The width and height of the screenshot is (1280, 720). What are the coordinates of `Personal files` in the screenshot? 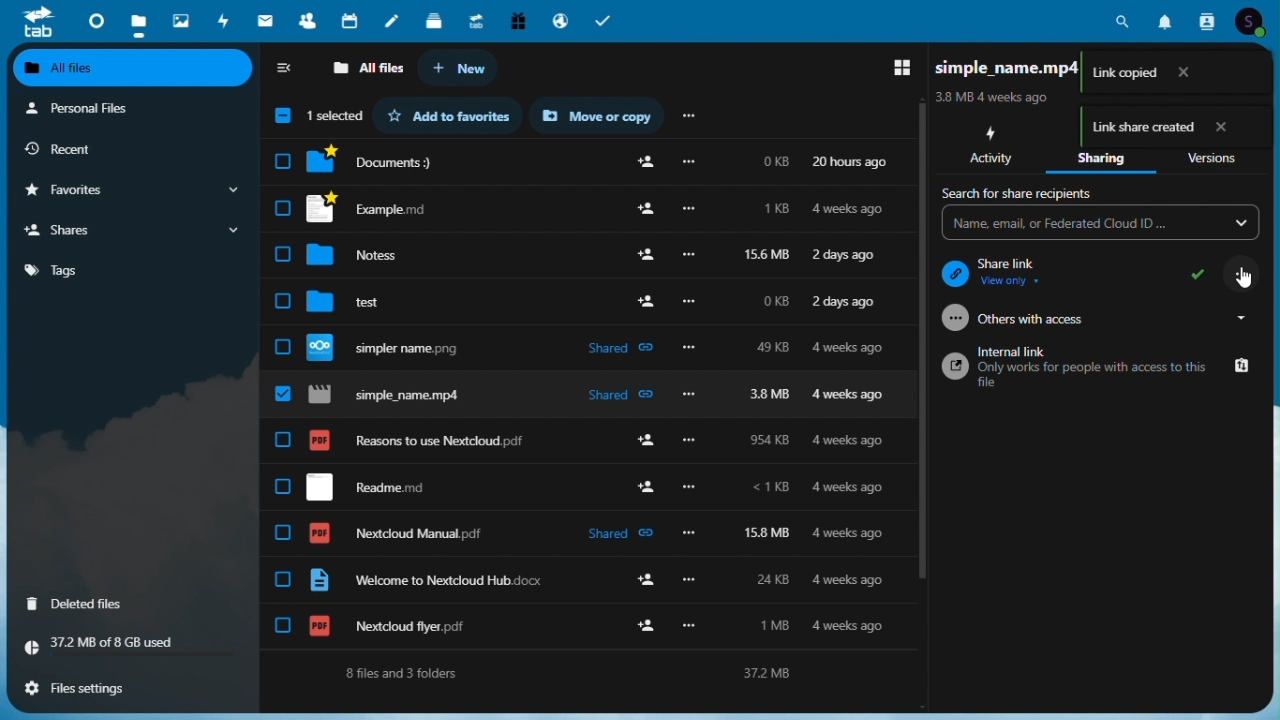 It's located at (127, 108).